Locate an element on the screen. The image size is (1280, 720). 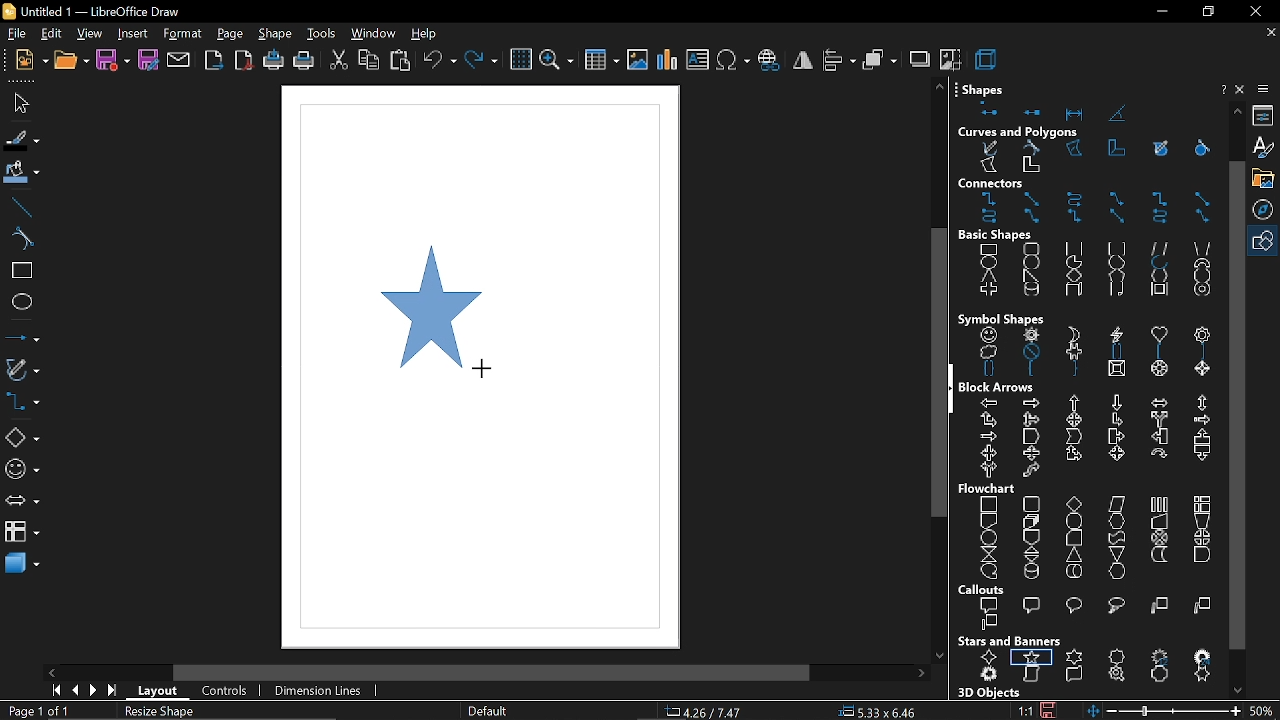
format is located at coordinates (183, 35).